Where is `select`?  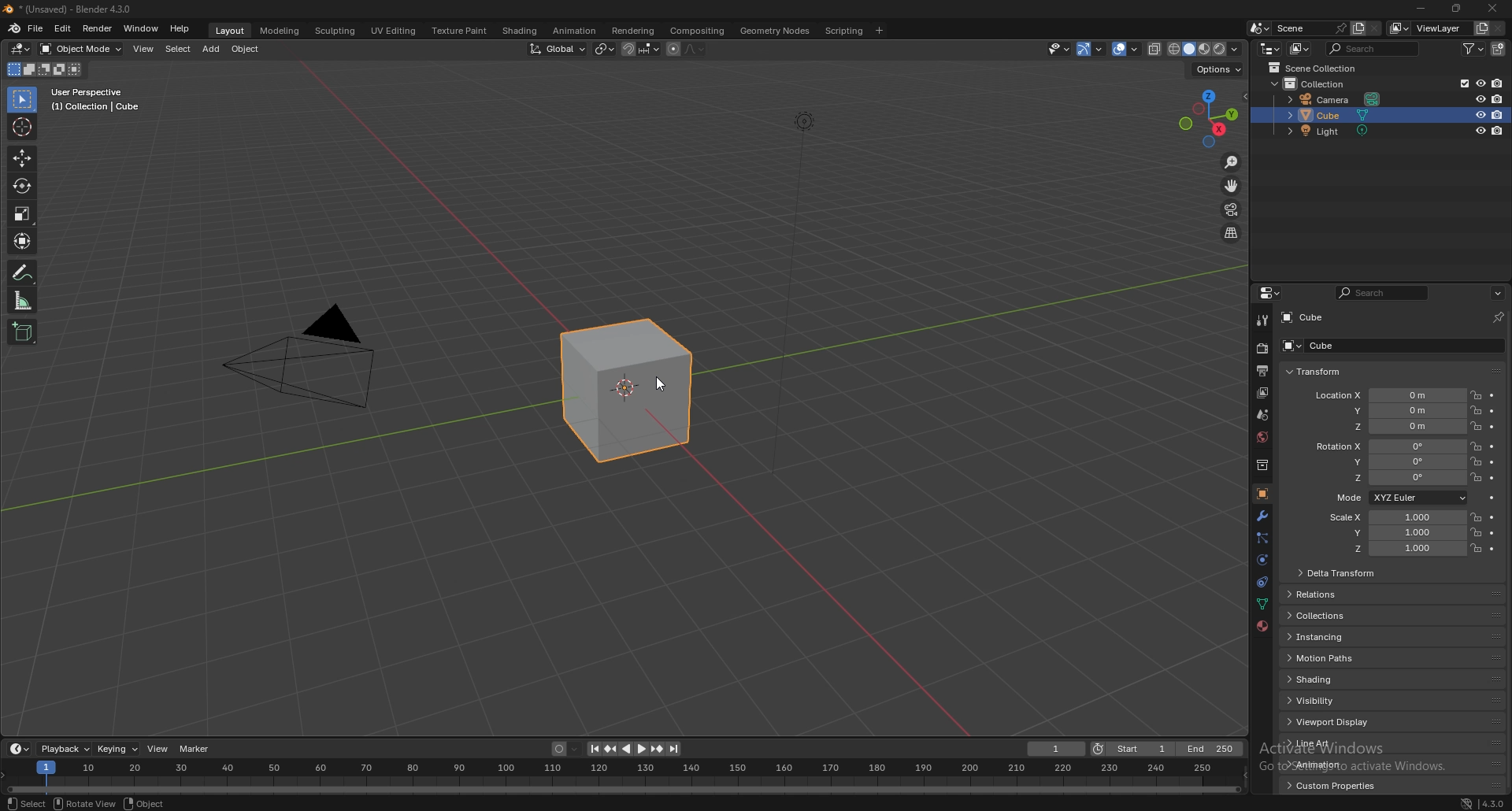 select is located at coordinates (23, 99).